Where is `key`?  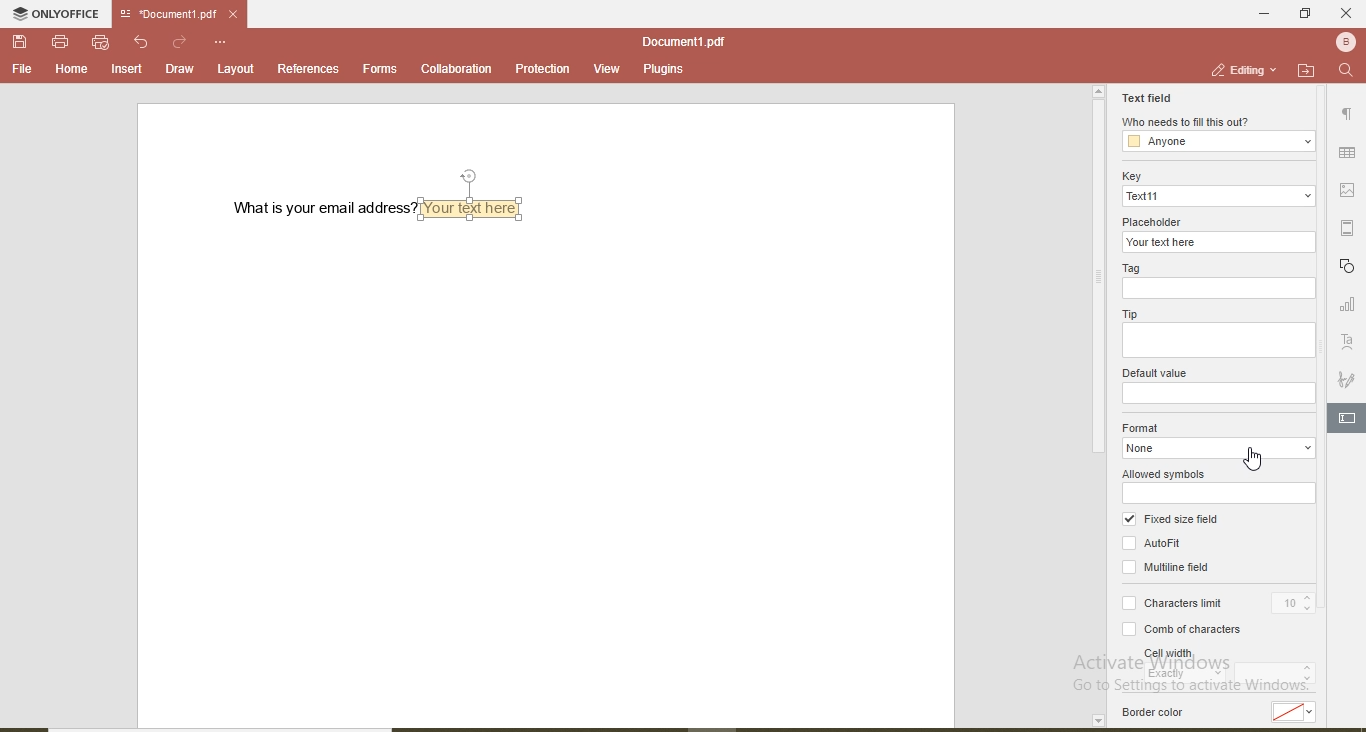 key is located at coordinates (1129, 176).